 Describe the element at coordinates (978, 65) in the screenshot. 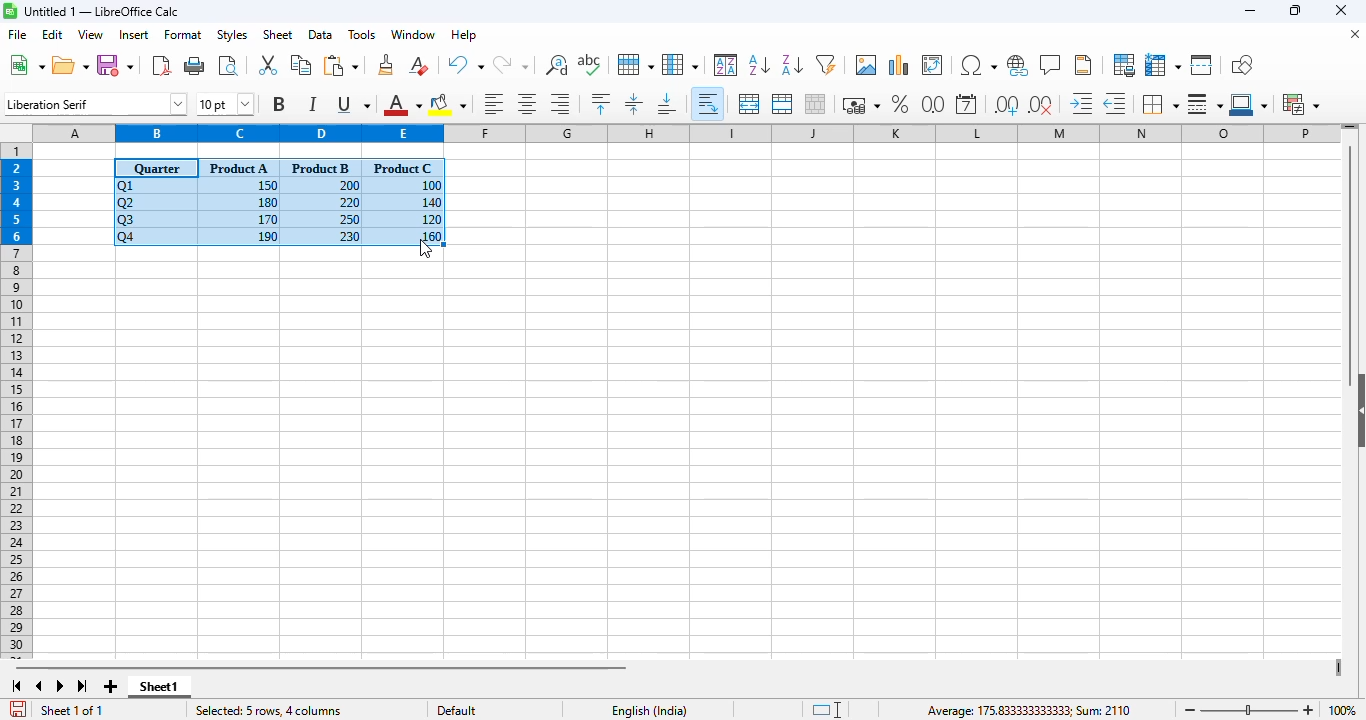

I see `insert special characters` at that location.